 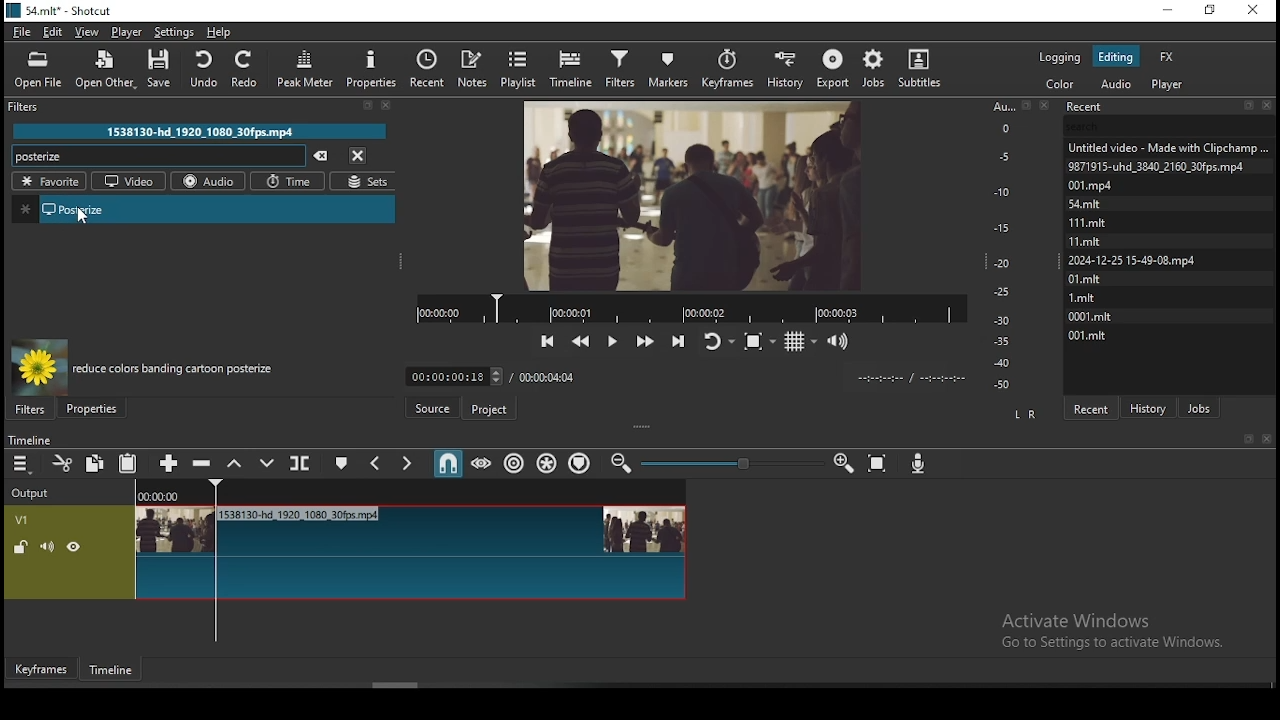 I want to click on volume control, so click(x=837, y=340).